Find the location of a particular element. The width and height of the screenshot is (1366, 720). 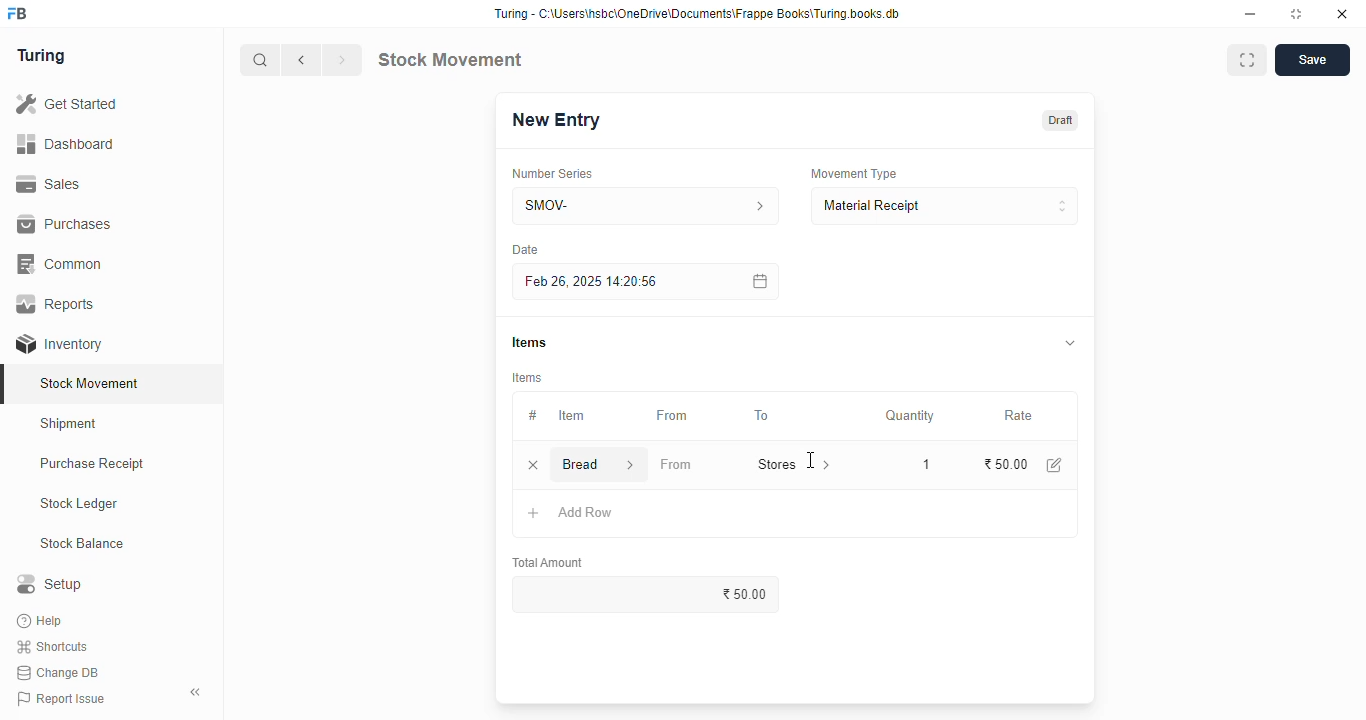

from is located at coordinates (673, 416).